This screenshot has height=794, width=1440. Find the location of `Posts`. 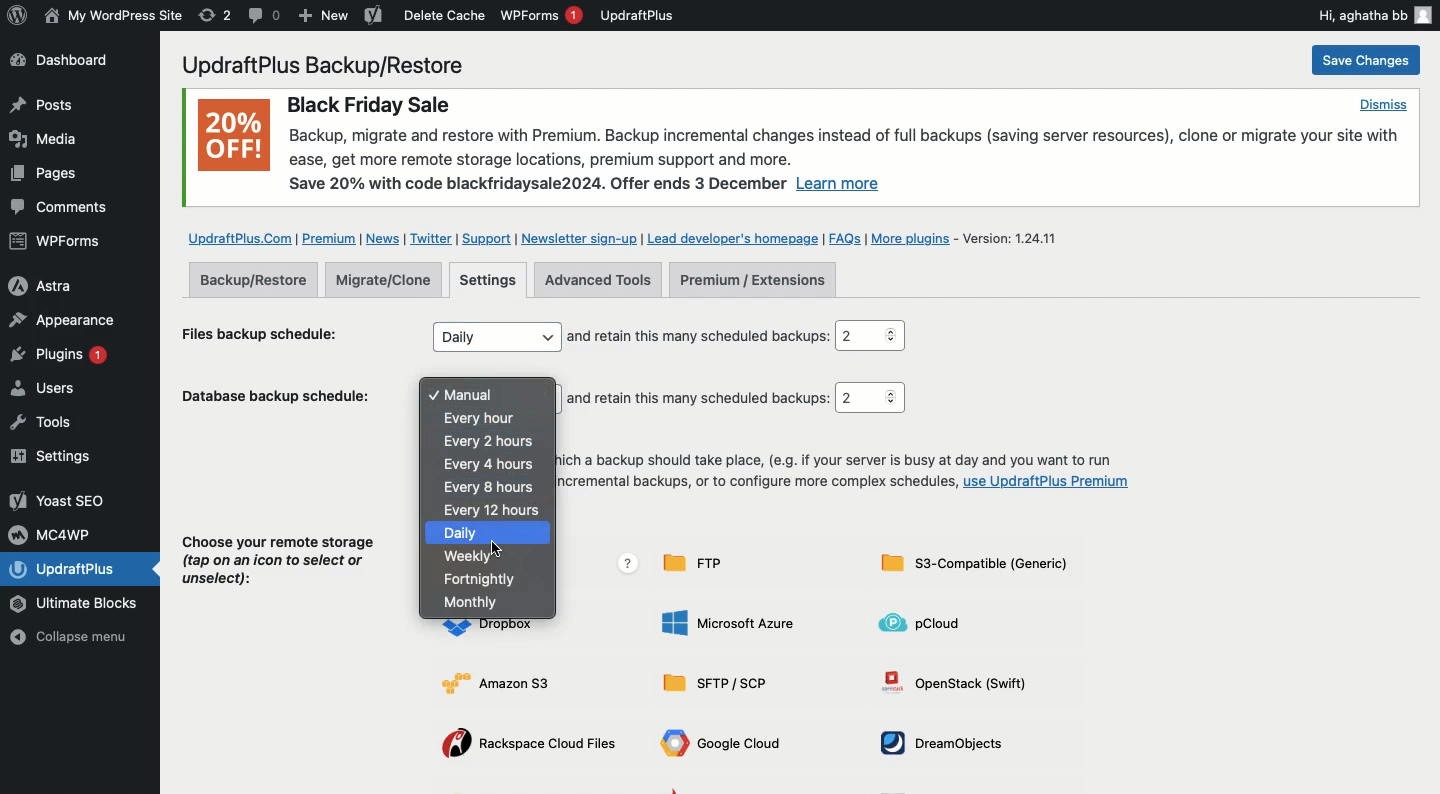

Posts is located at coordinates (41, 177).